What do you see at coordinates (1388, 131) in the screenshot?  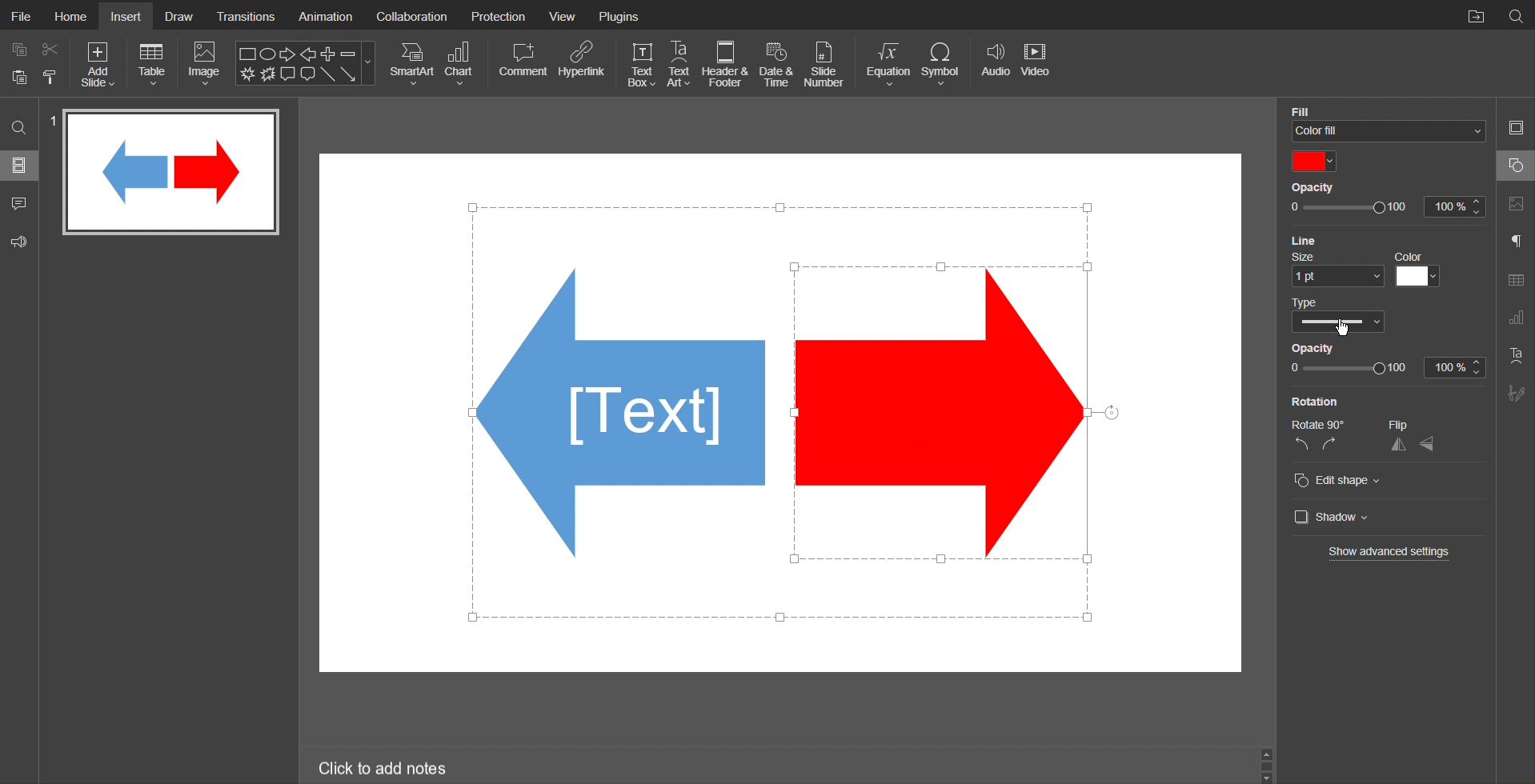 I see `color fill` at bounding box center [1388, 131].